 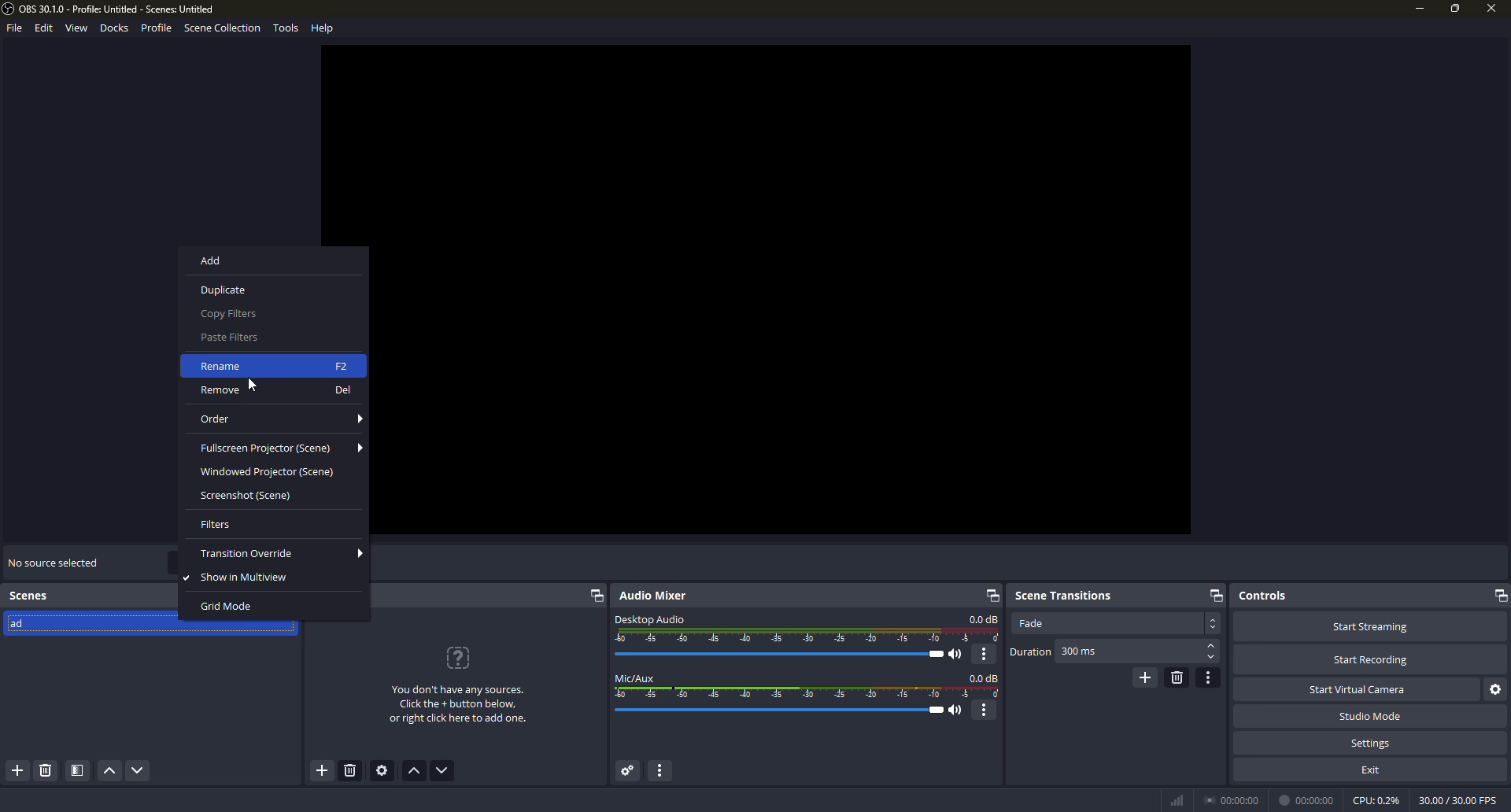 I want to click on advanced audio properties, so click(x=626, y=771).